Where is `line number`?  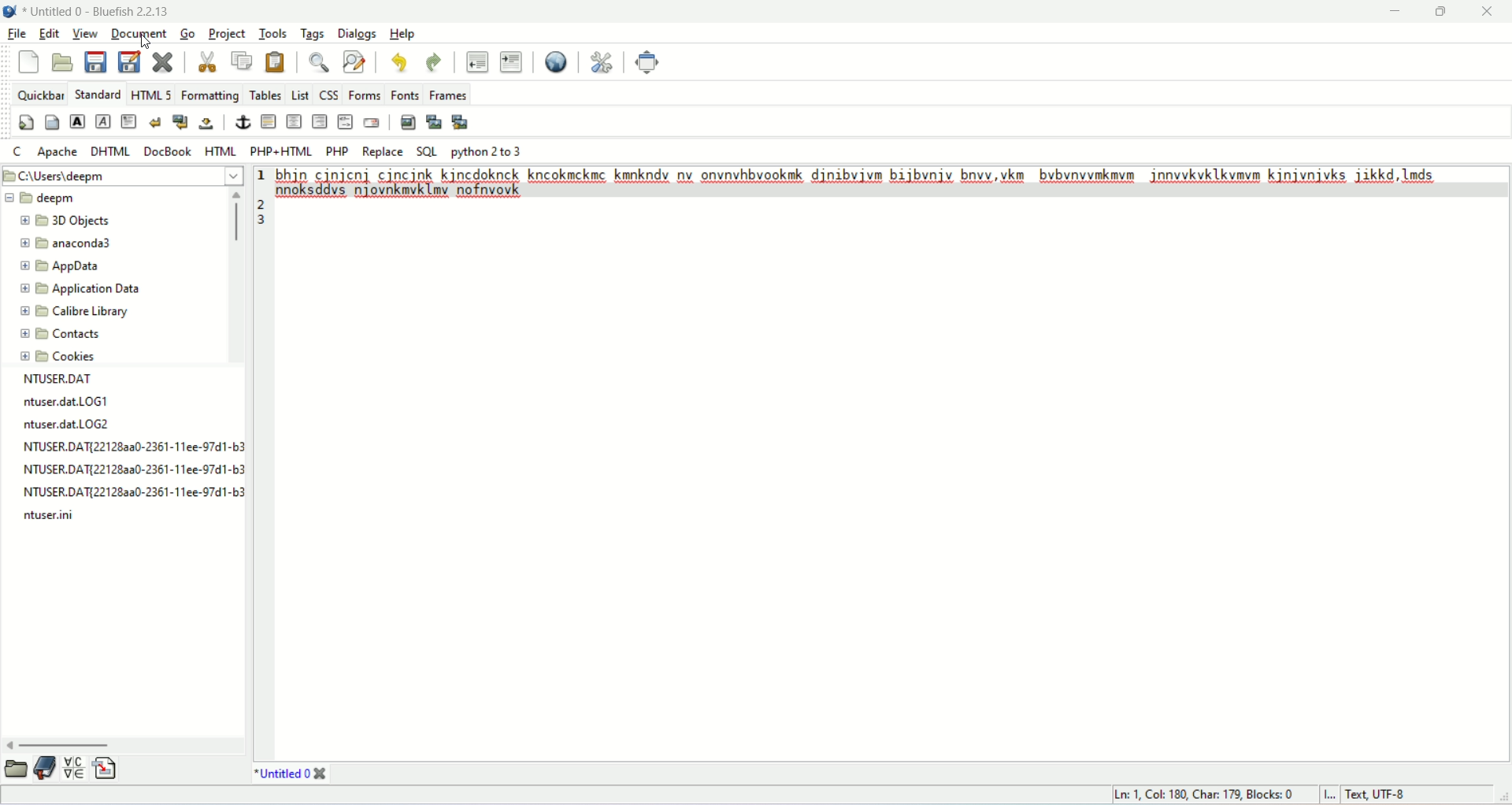 line number is located at coordinates (261, 200).